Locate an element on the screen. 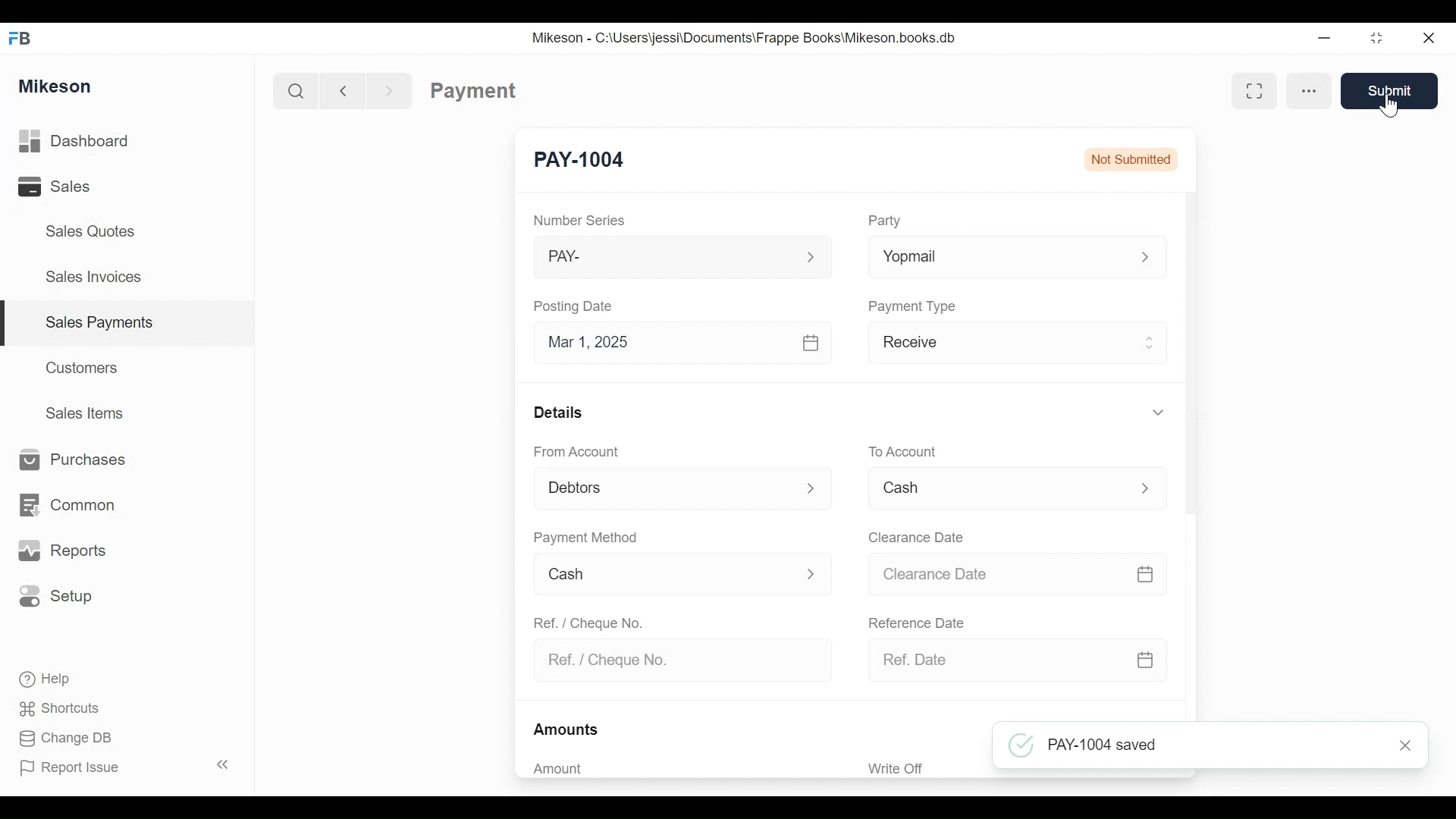 The width and height of the screenshot is (1456, 819). Collapse is located at coordinates (226, 766).